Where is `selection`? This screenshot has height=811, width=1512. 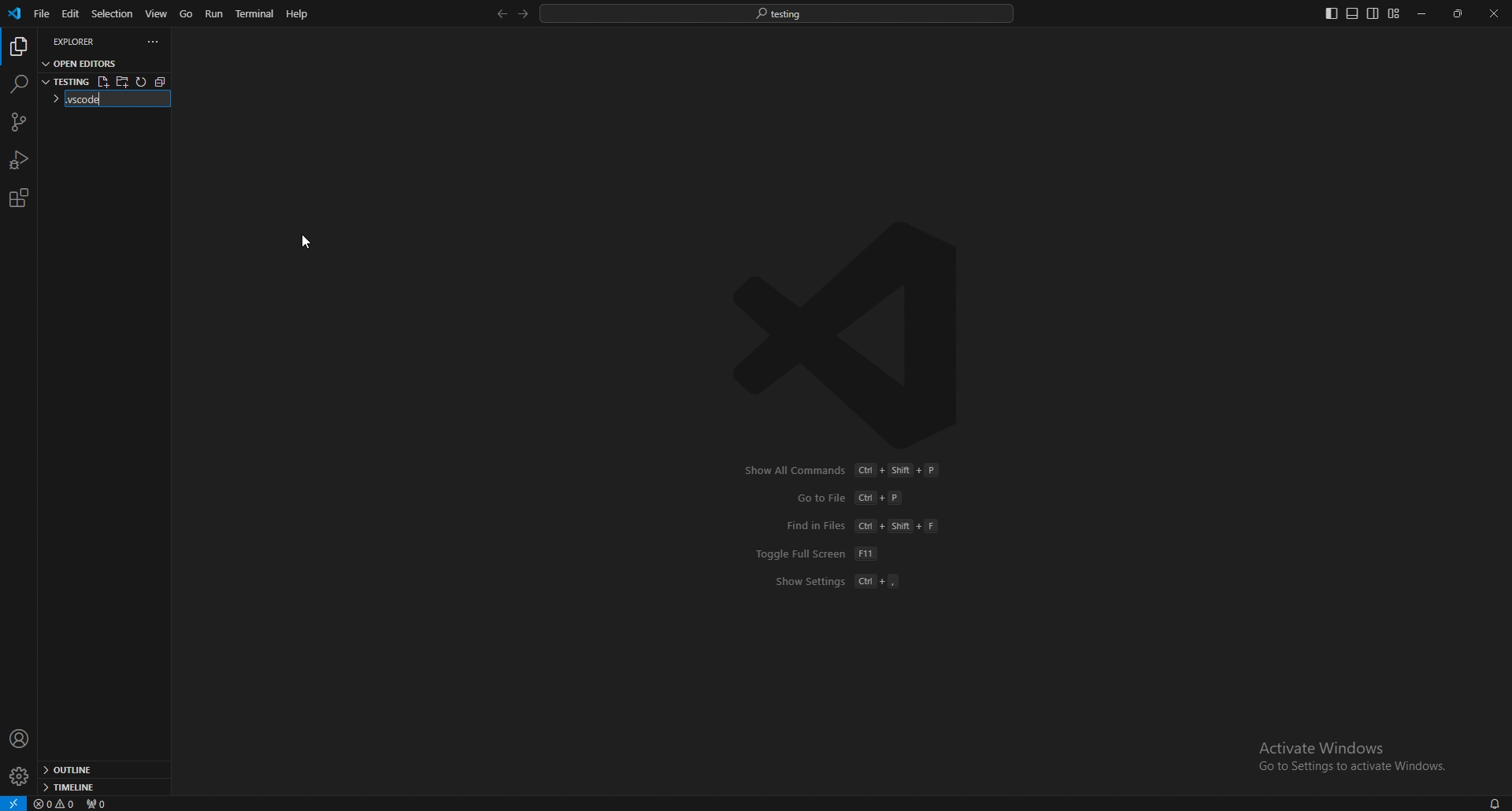 selection is located at coordinates (112, 13).